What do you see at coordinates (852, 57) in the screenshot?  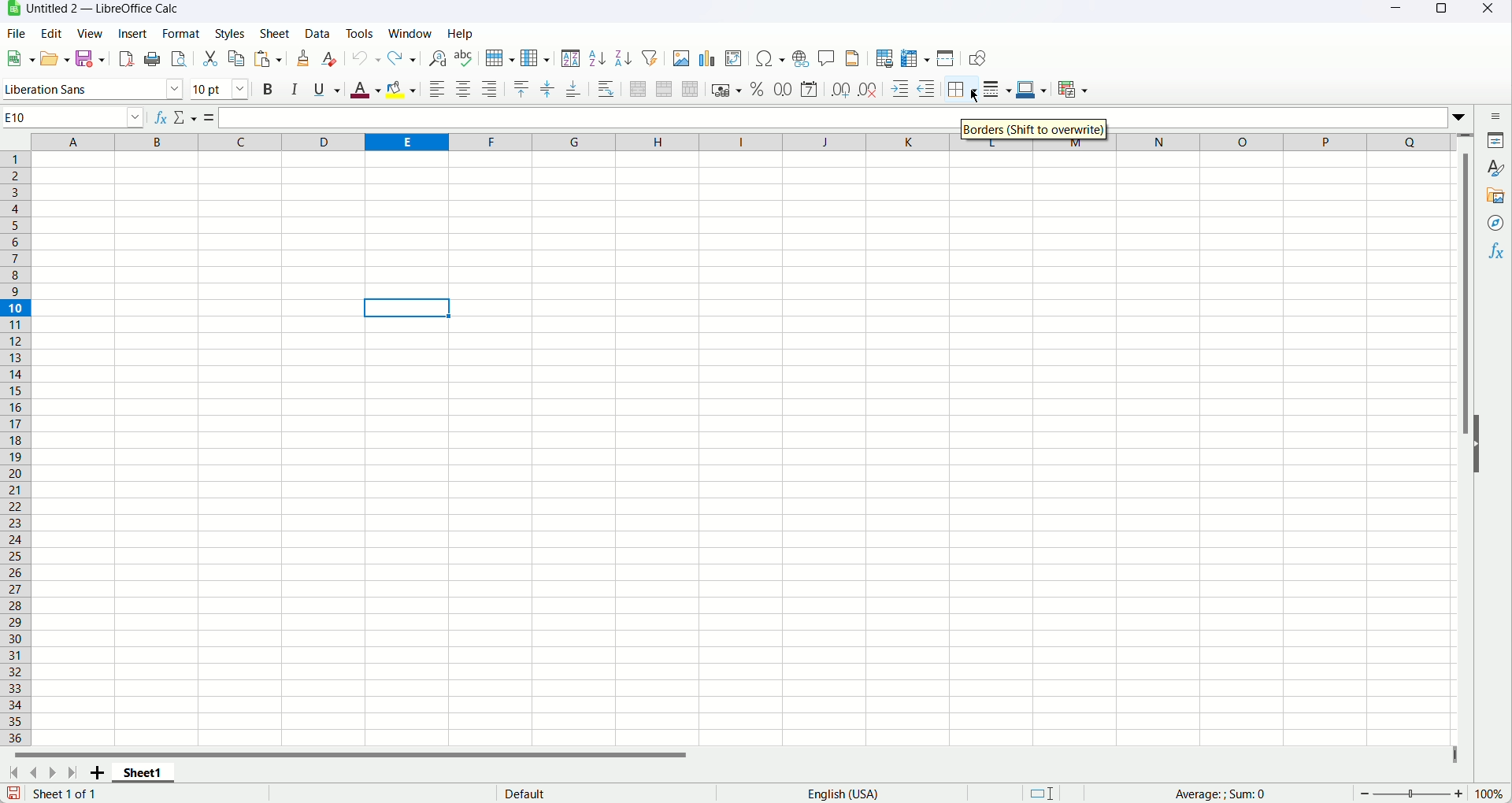 I see `Headers and footers` at bounding box center [852, 57].